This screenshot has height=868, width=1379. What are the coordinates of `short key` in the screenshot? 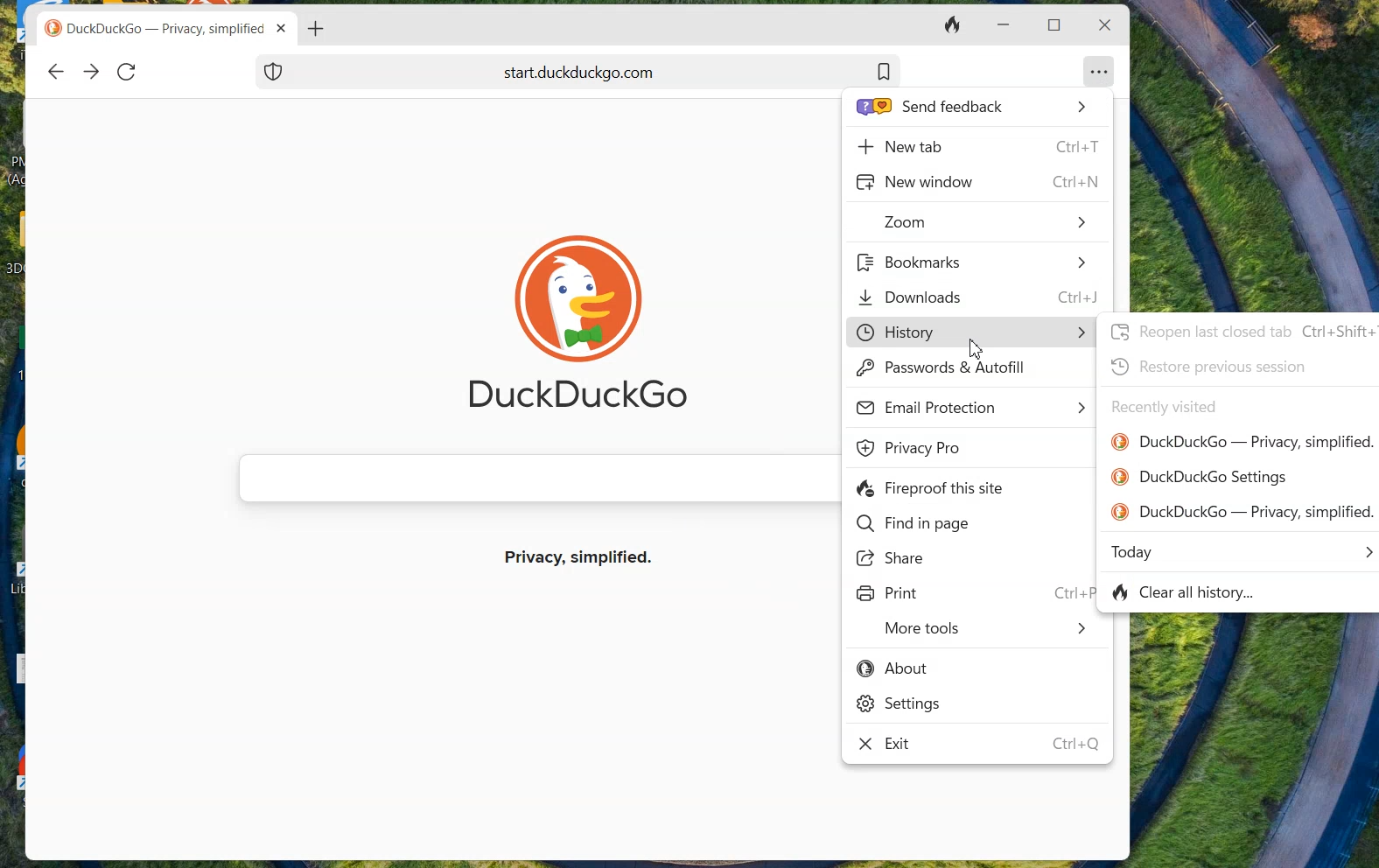 It's located at (1074, 745).